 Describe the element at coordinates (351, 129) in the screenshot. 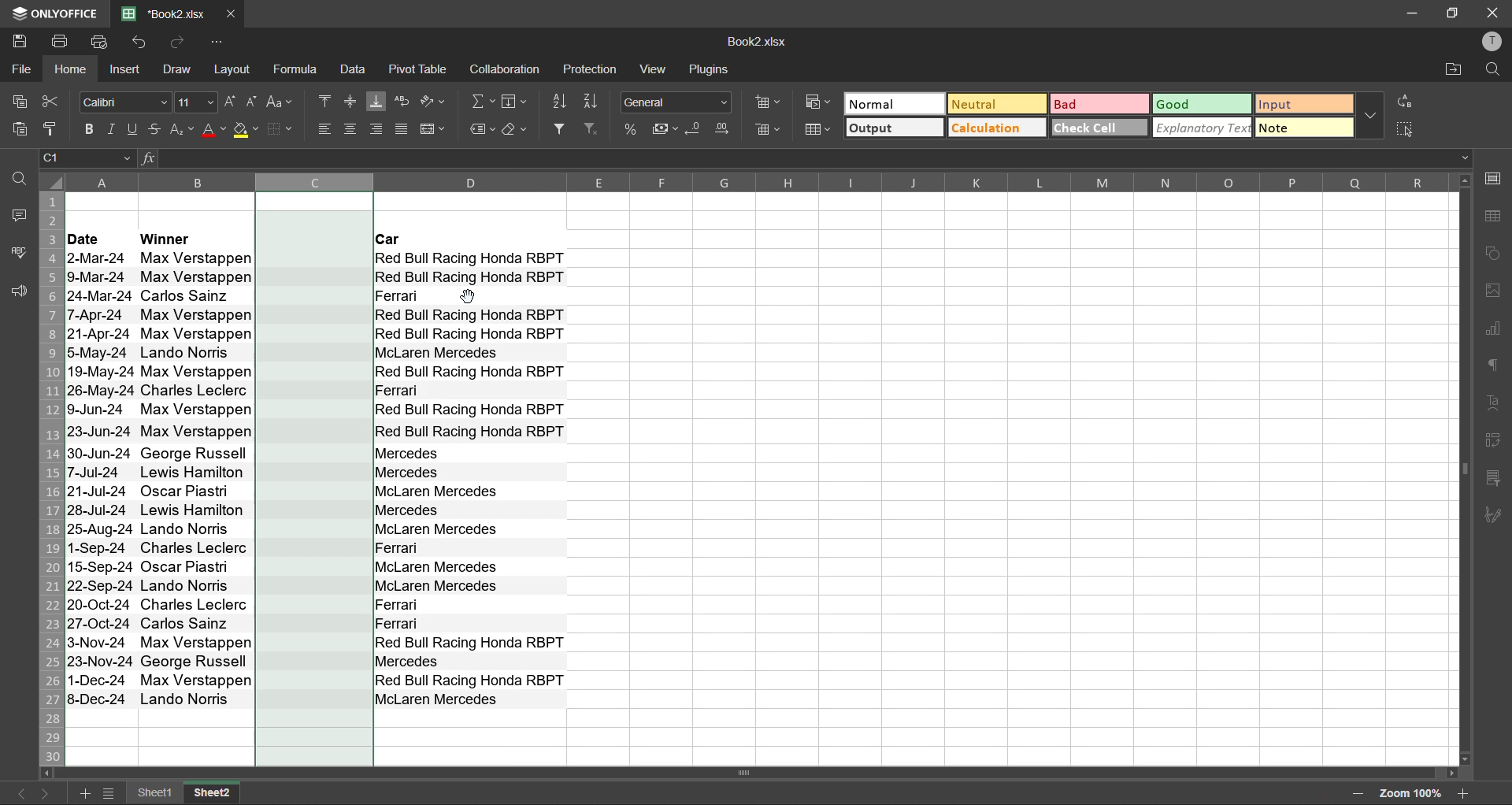

I see `align center` at that location.